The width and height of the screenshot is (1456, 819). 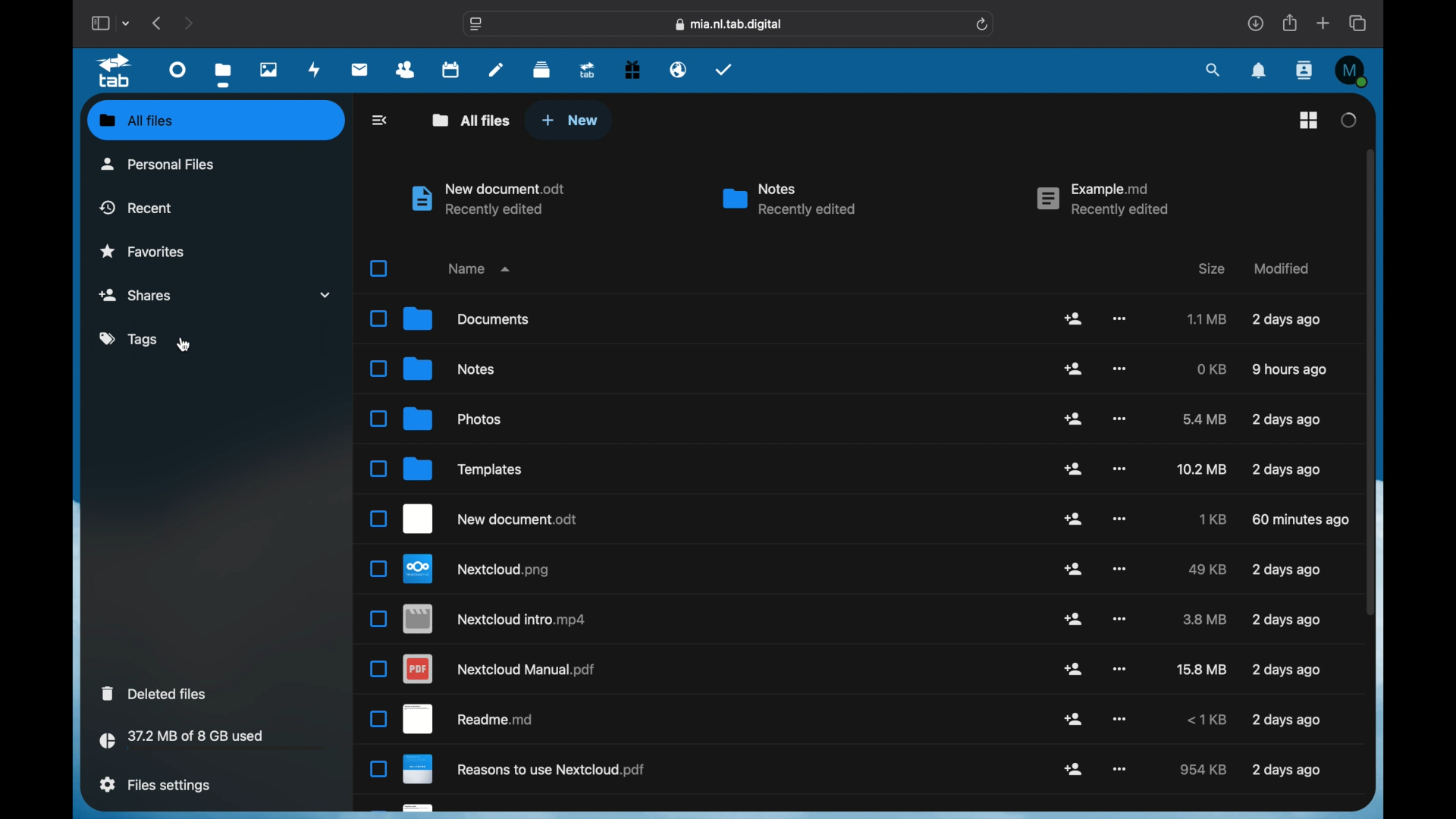 What do you see at coordinates (1207, 570) in the screenshot?
I see `size` at bounding box center [1207, 570].